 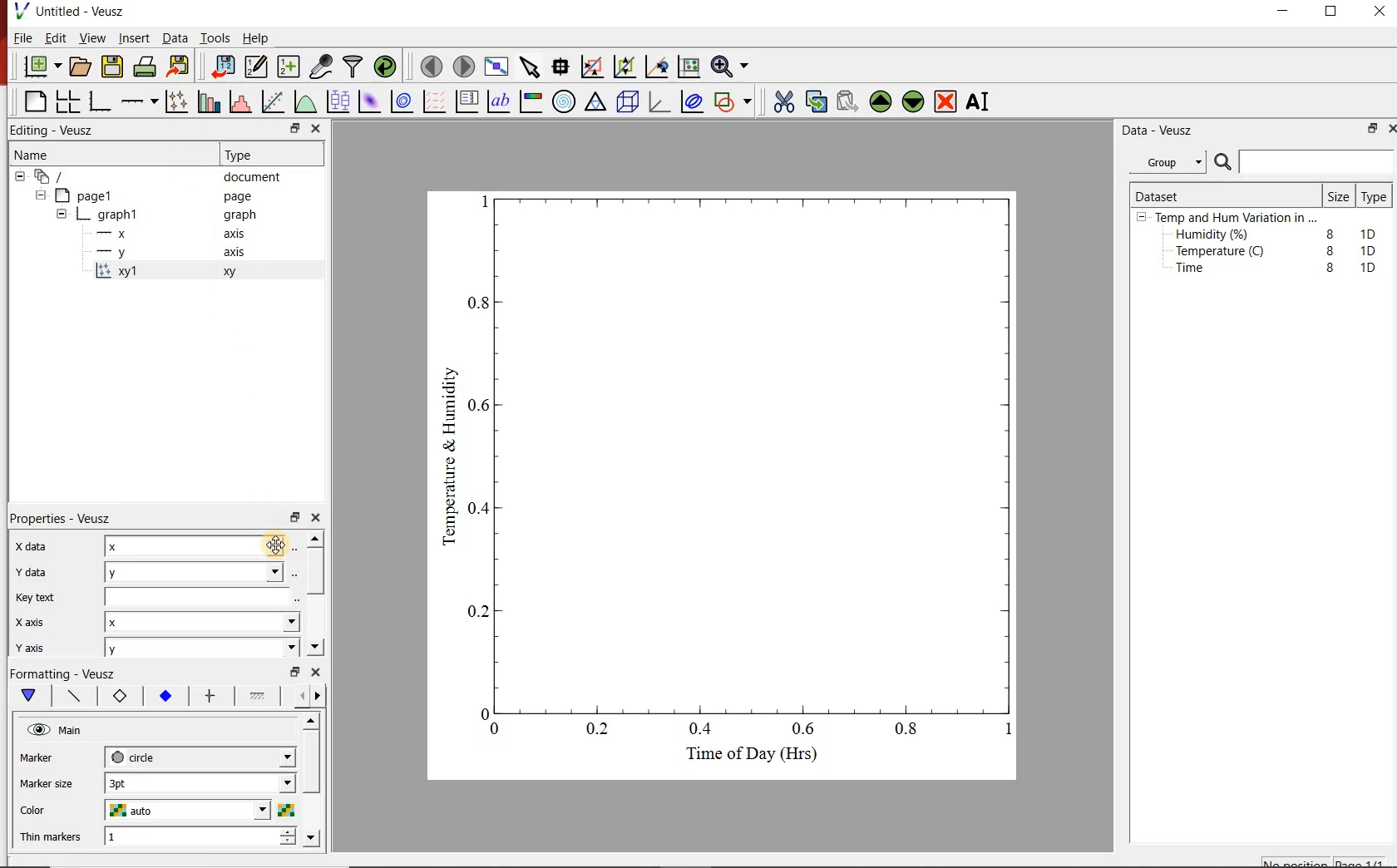 I want to click on close, so click(x=317, y=128).